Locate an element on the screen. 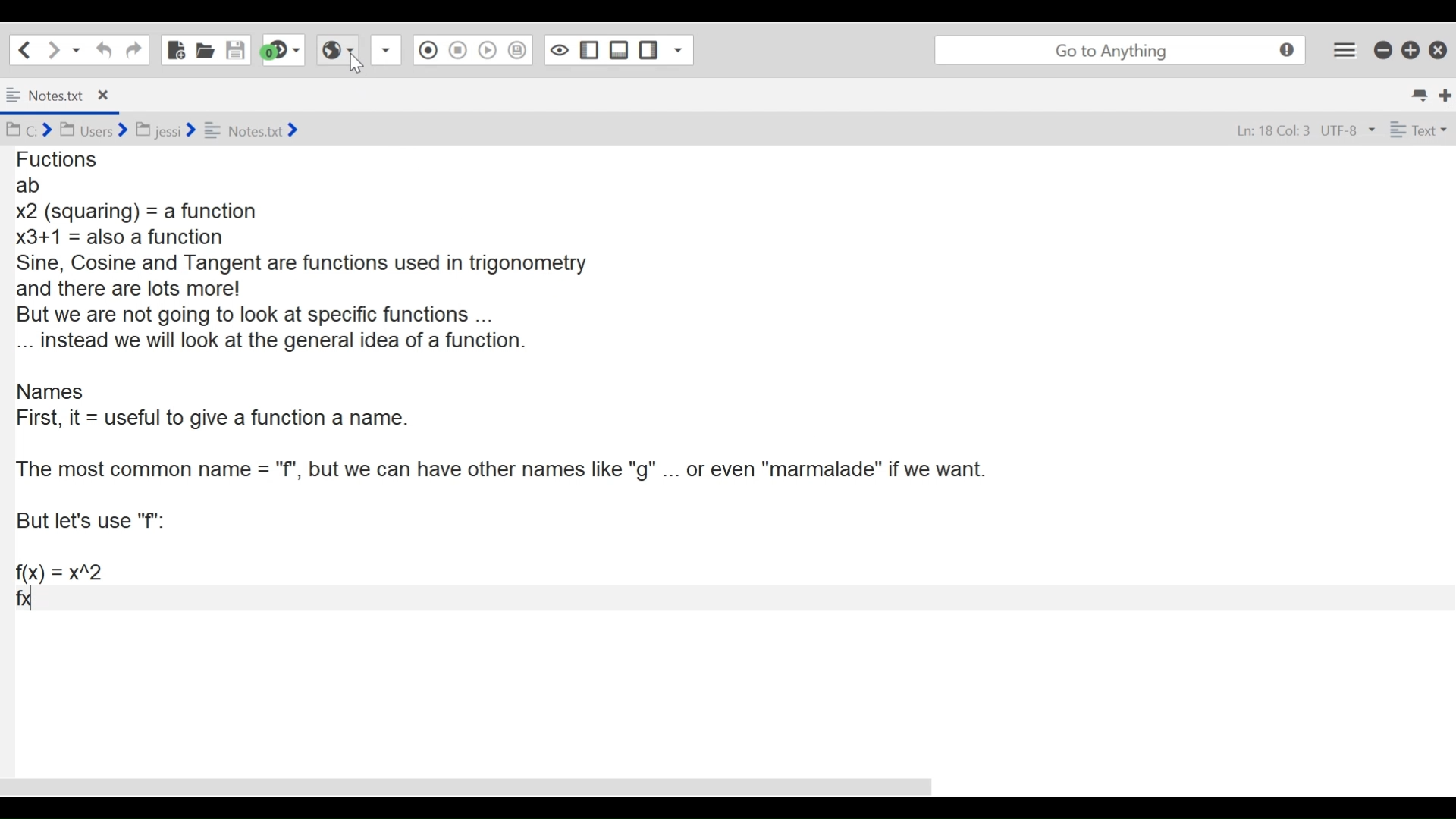  new file is located at coordinates (175, 49).